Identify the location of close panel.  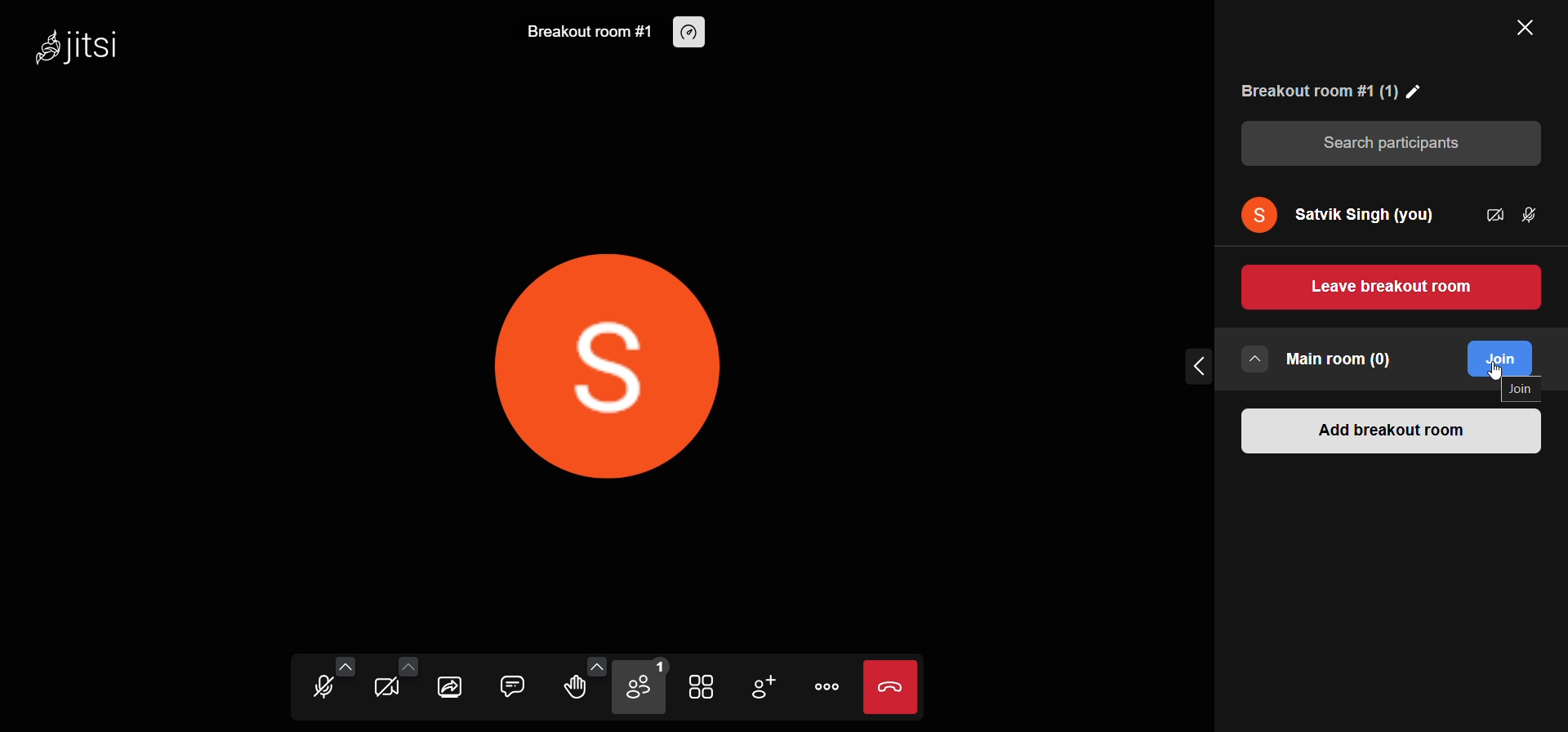
(1526, 26).